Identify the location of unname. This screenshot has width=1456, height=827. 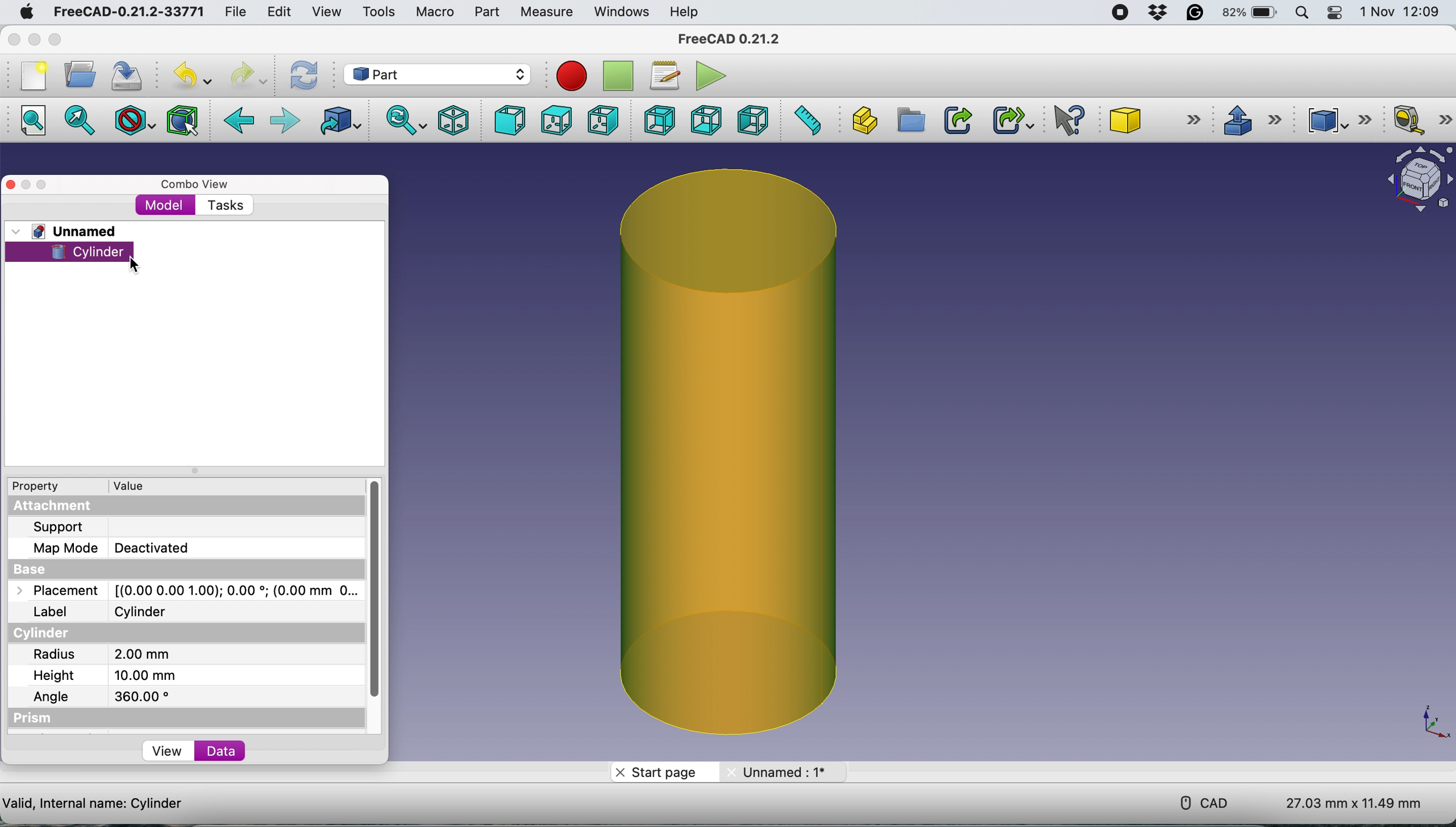
(780, 773).